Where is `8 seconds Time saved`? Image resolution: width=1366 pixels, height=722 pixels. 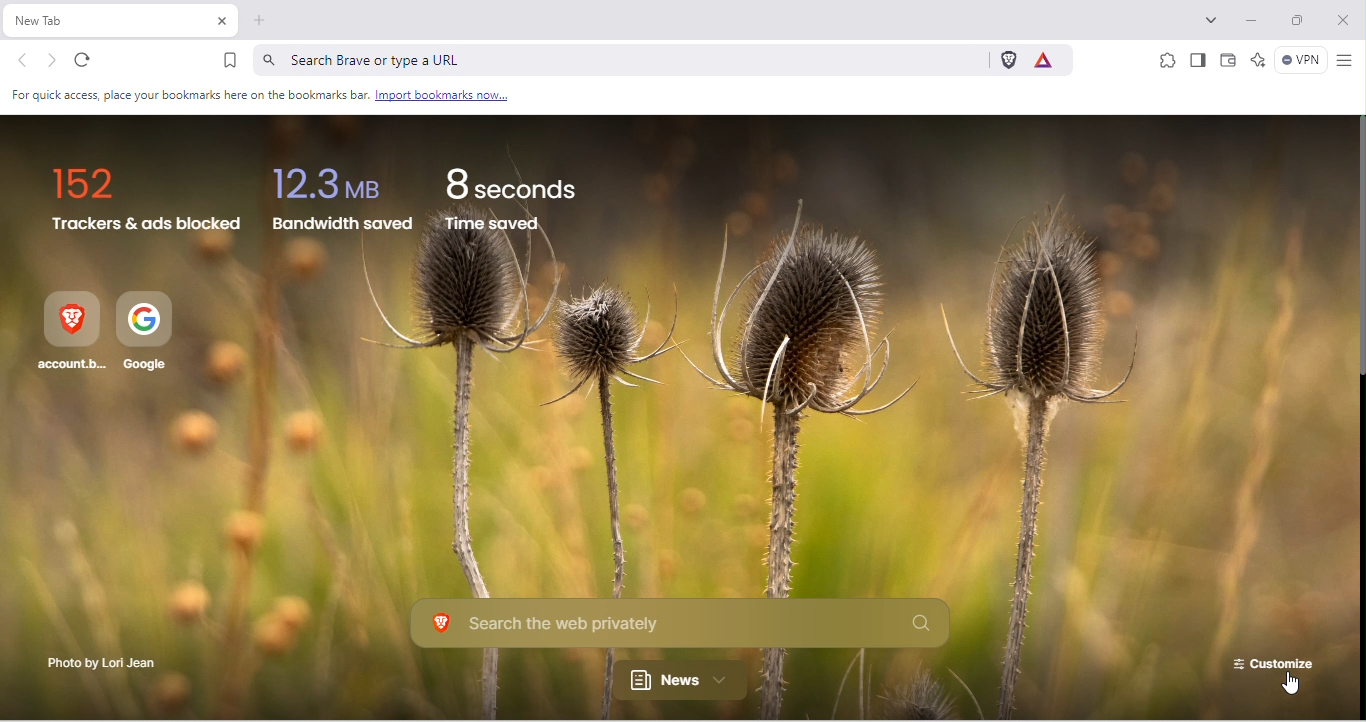
8 seconds Time saved is located at coordinates (521, 199).